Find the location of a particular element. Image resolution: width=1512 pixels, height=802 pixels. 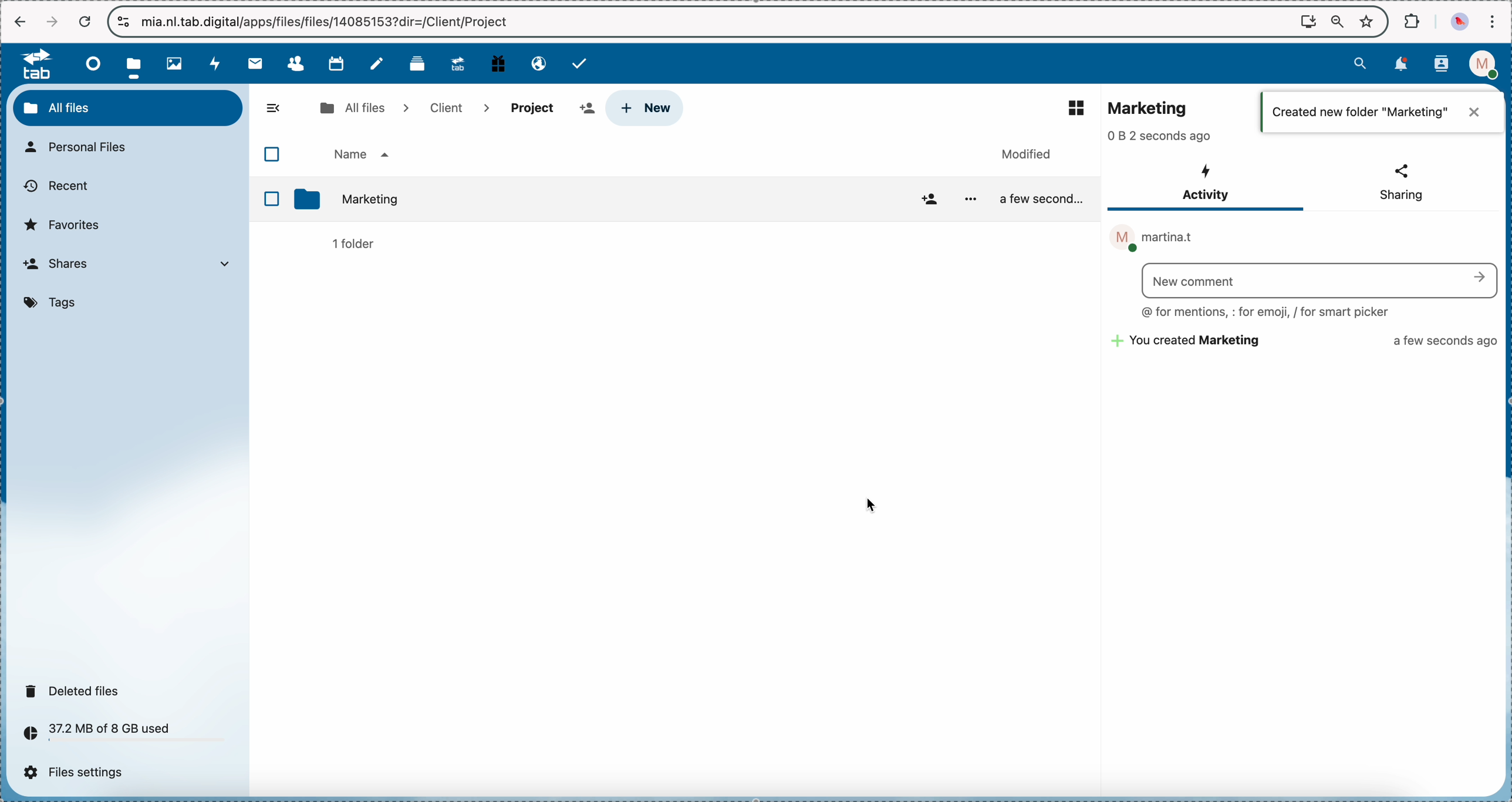

customize and control Google Chrome is located at coordinates (1491, 21).